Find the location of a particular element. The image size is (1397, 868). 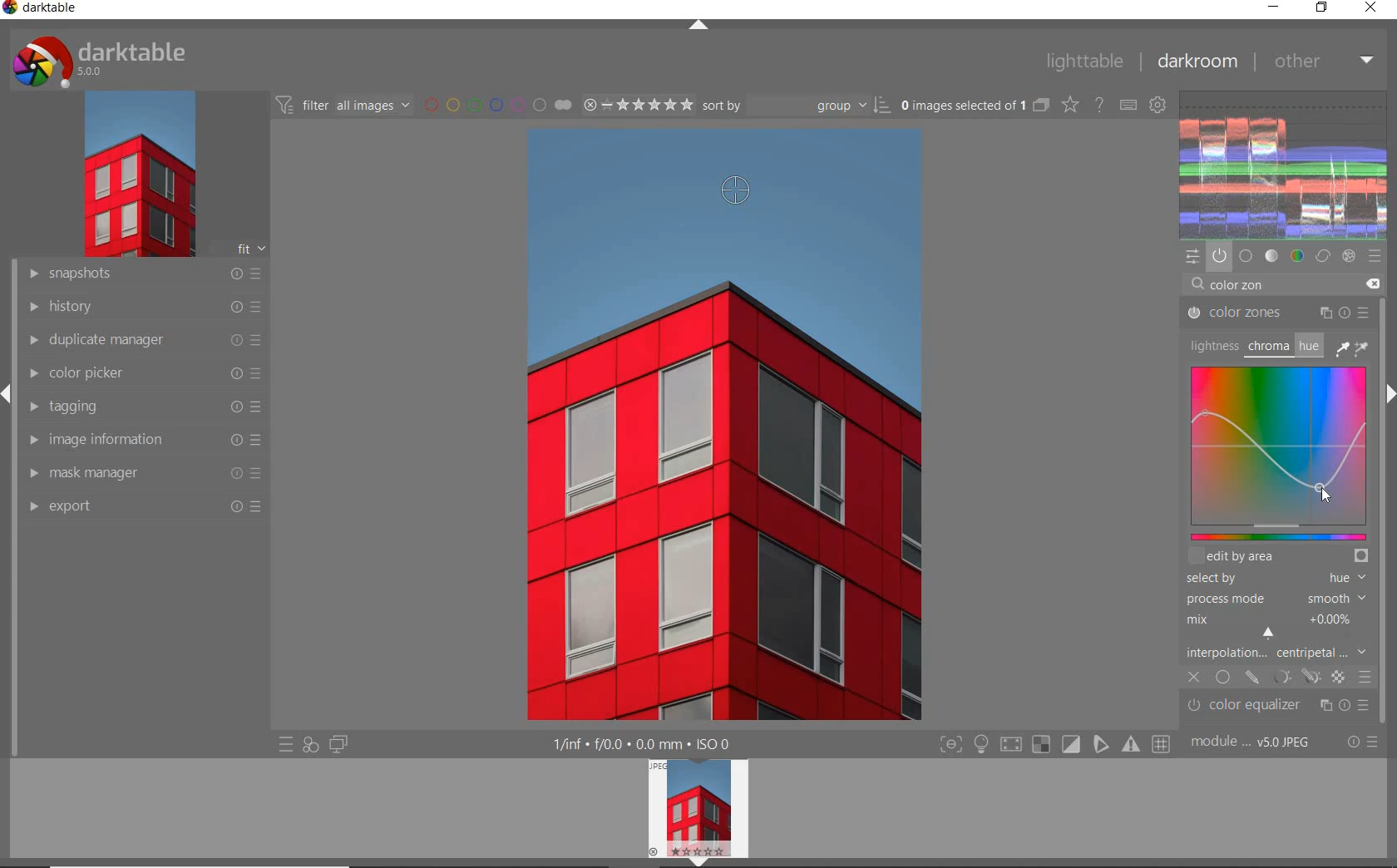

CURSOR POSITION is located at coordinates (1325, 492).